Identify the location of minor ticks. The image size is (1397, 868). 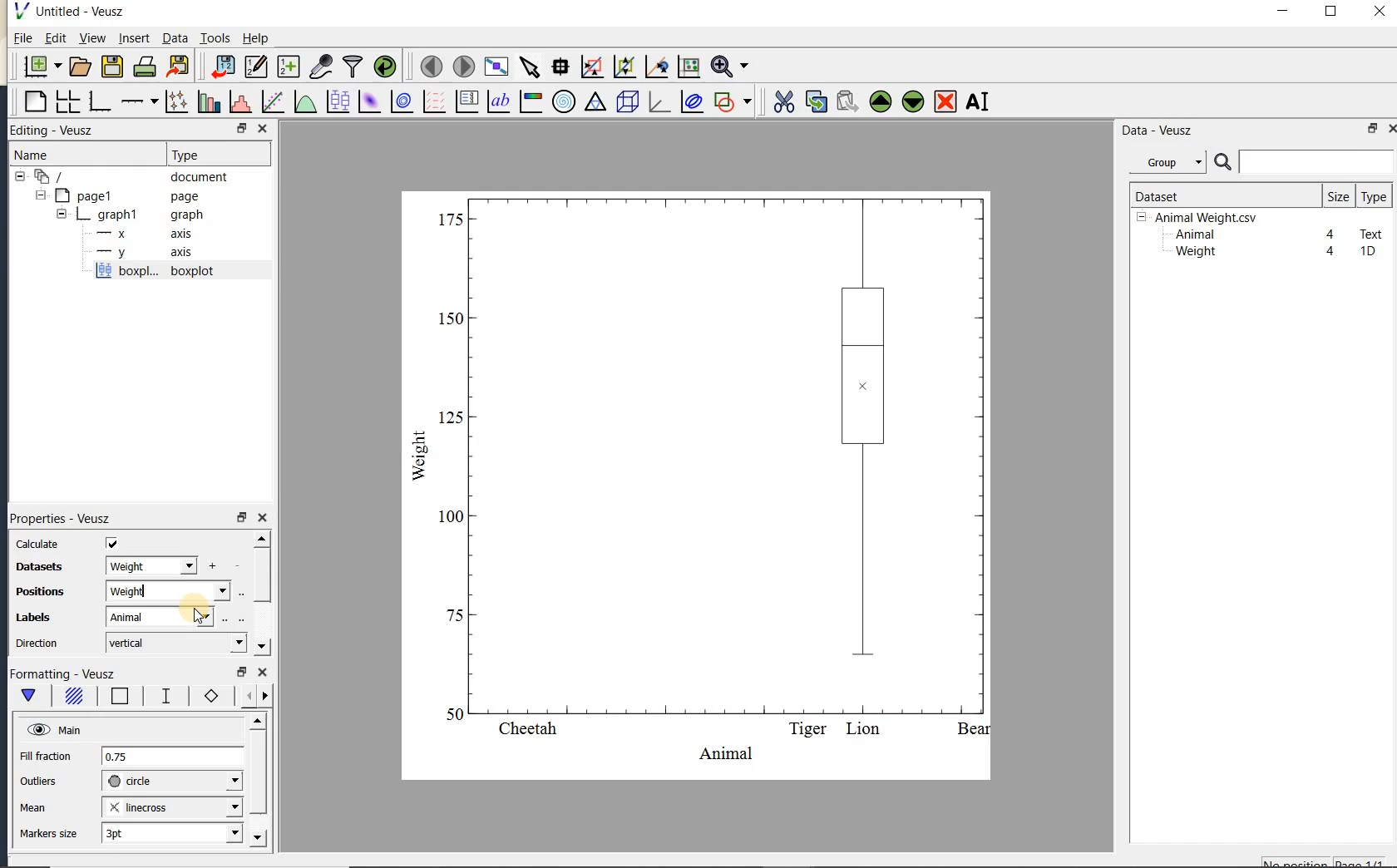
(251, 696).